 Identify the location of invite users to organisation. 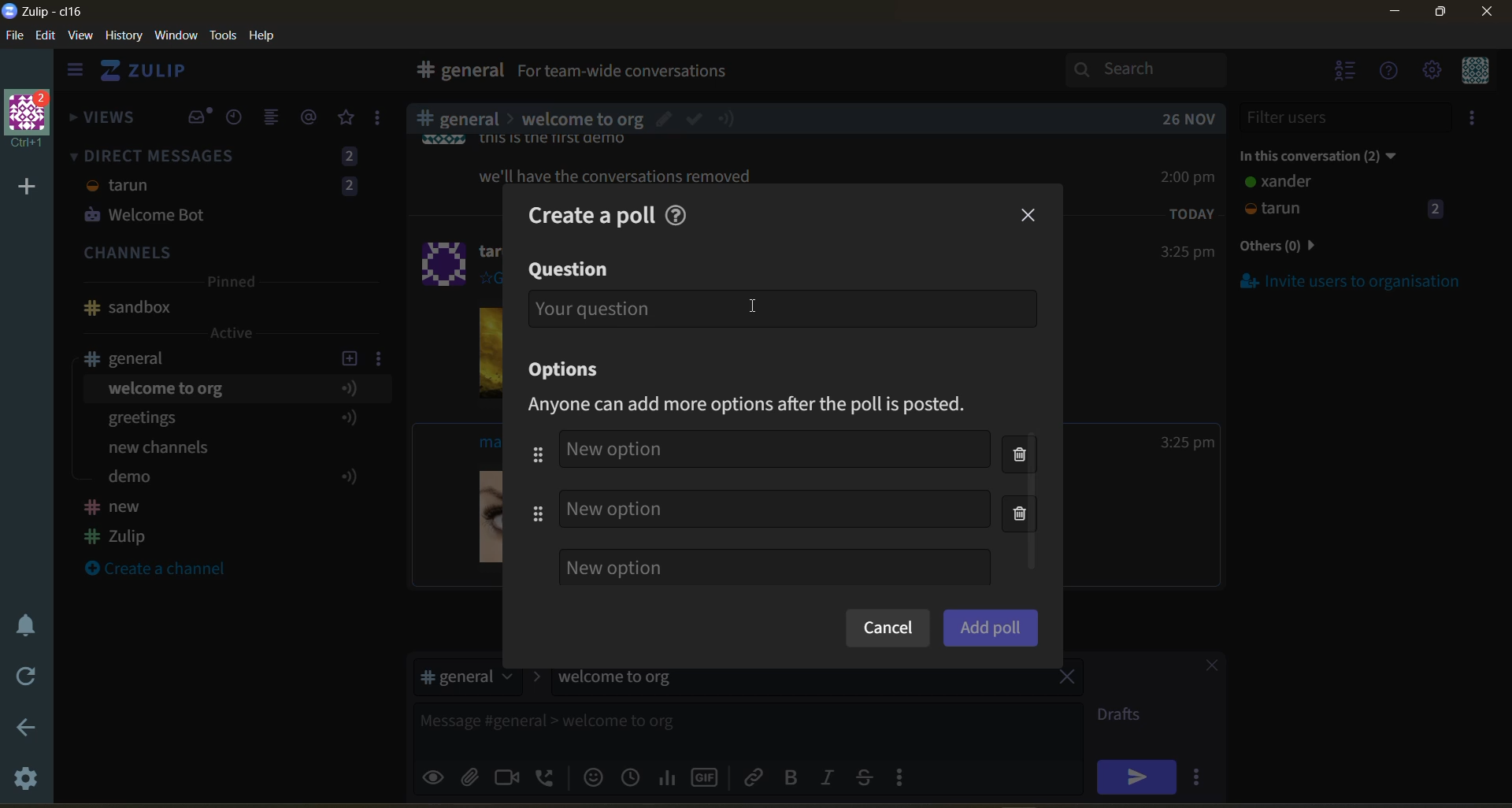
(1475, 120).